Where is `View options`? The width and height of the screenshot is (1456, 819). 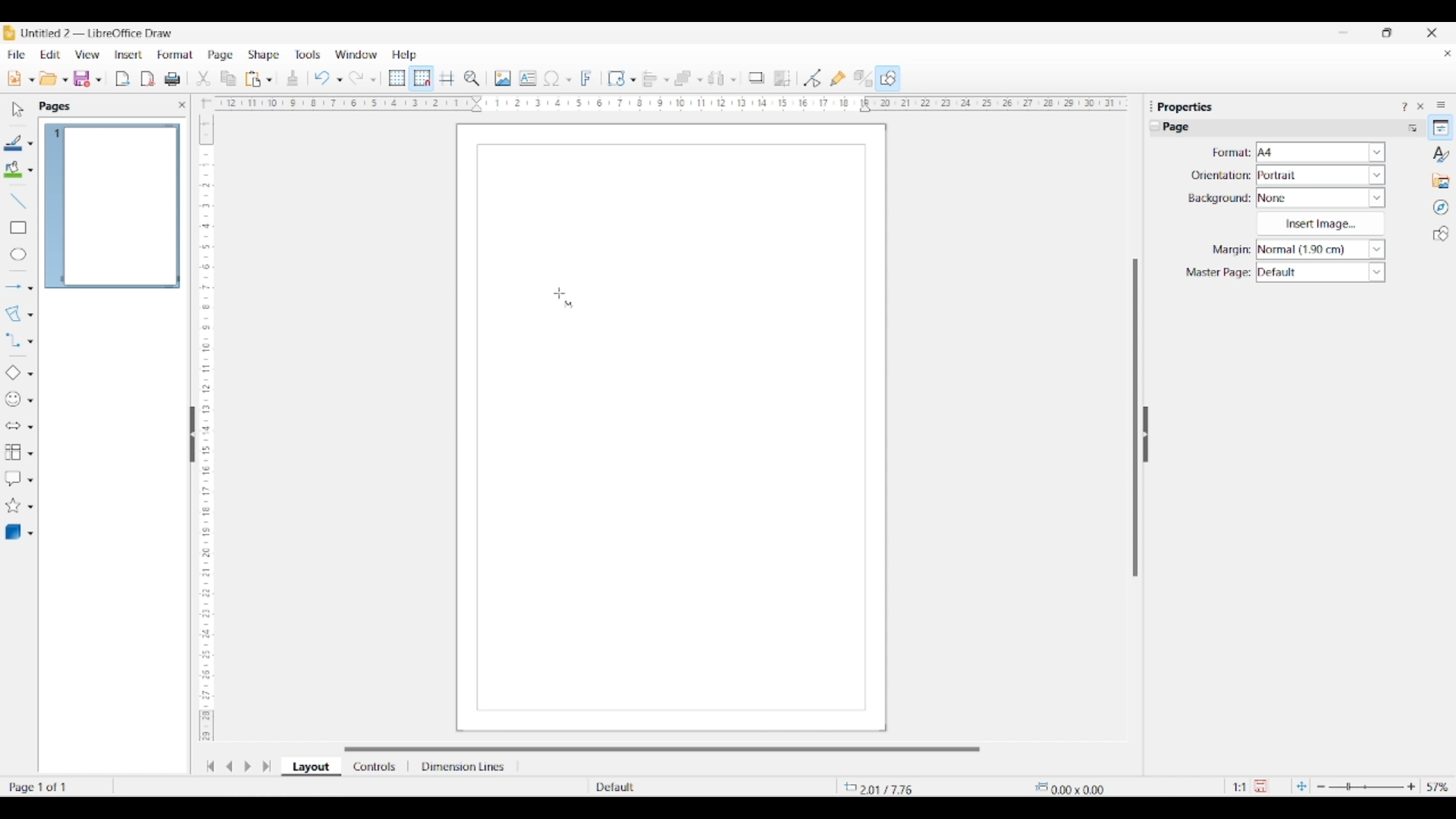
View options is located at coordinates (86, 55).